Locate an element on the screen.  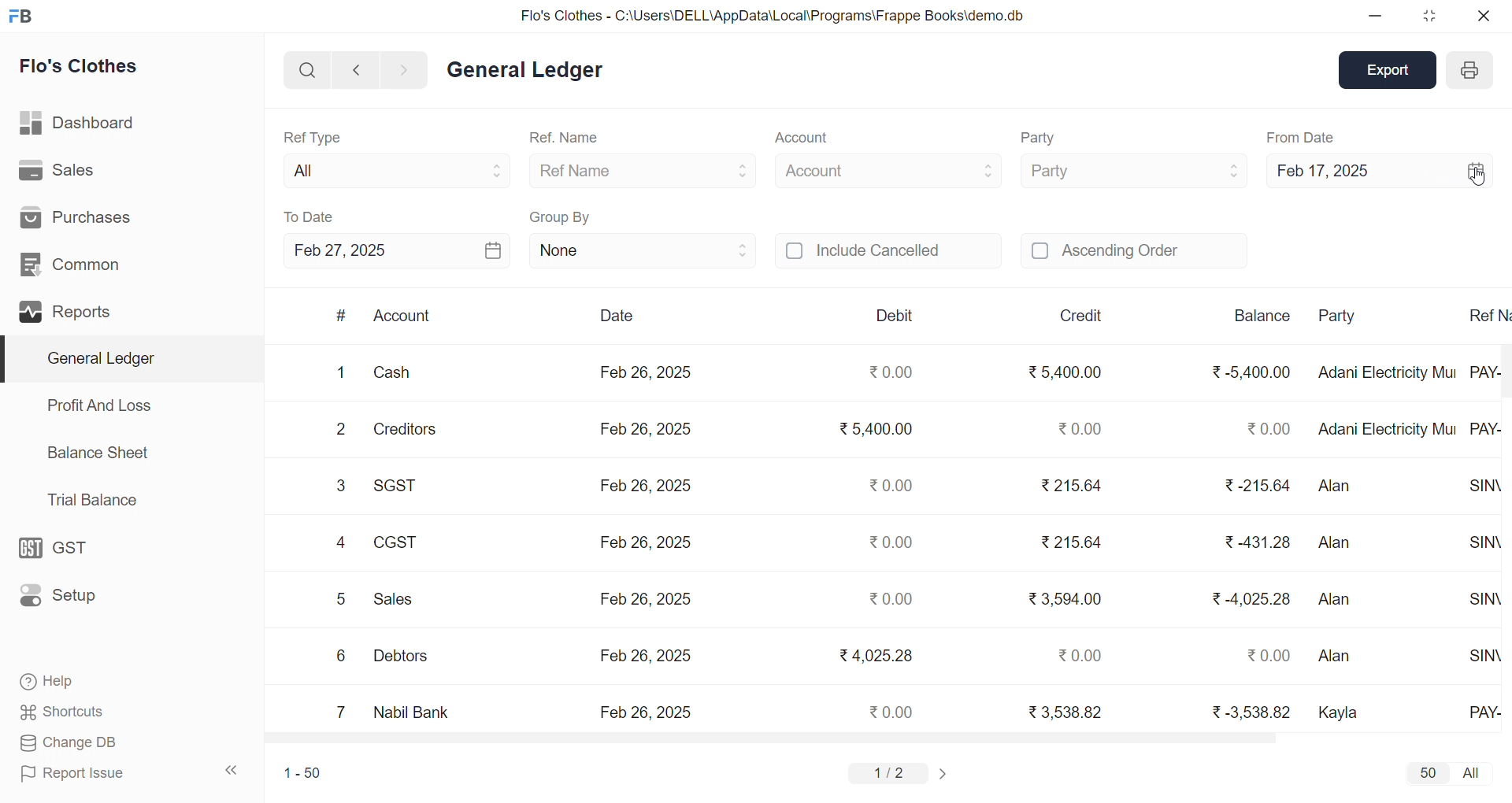
Alan is located at coordinates (1341, 595).